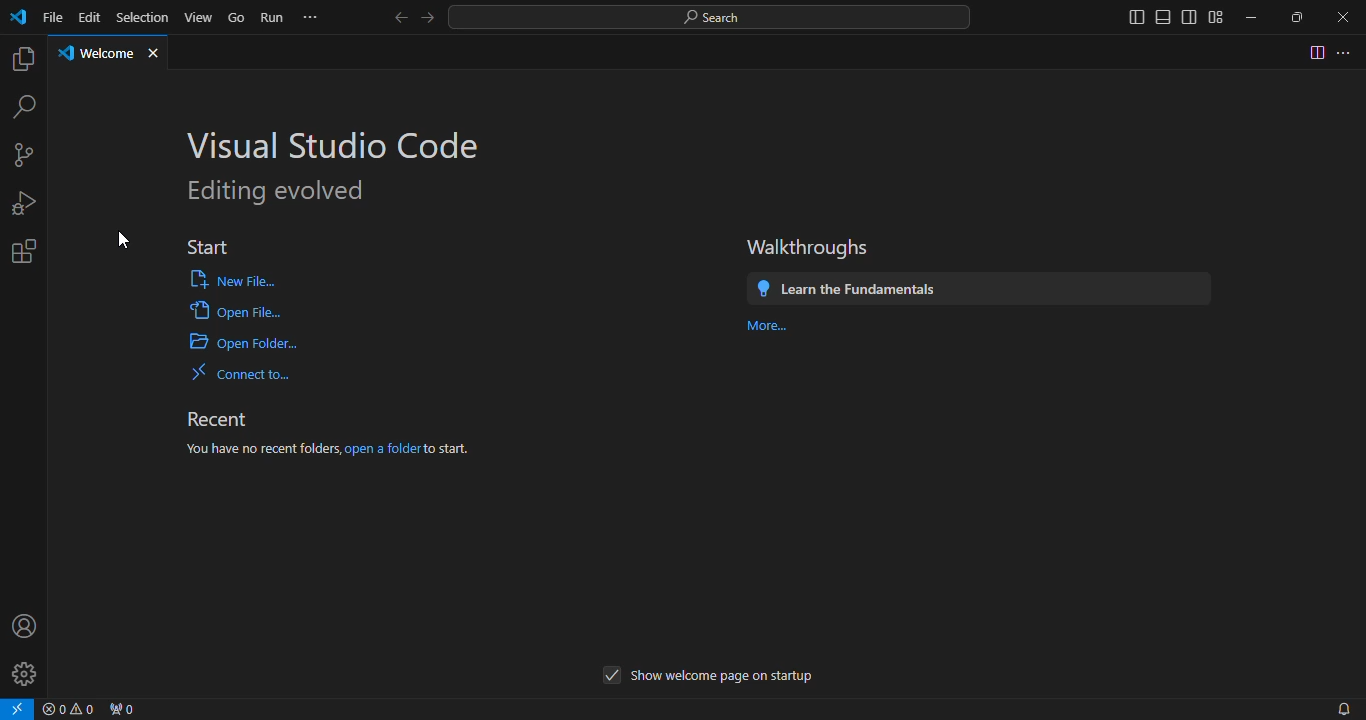 The width and height of the screenshot is (1366, 720). What do you see at coordinates (18, 19) in the screenshot?
I see `logo` at bounding box center [18, 19].